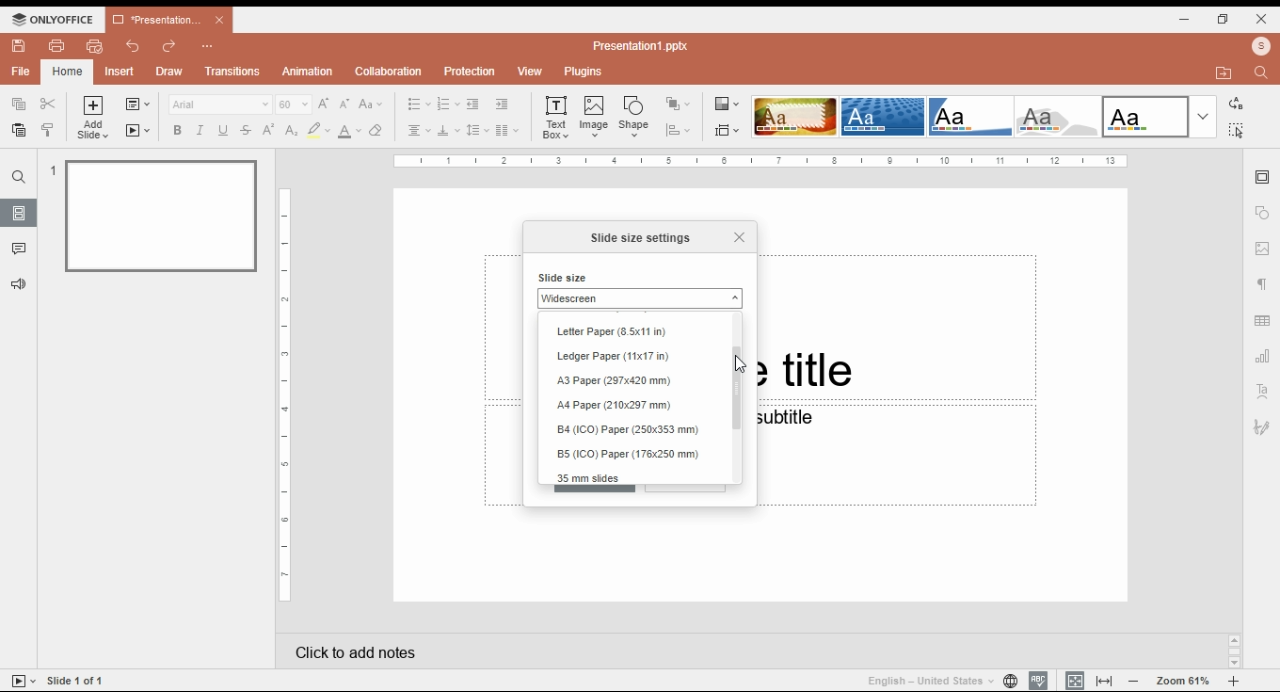  I want to click on Page Scale, so click(286, 396).